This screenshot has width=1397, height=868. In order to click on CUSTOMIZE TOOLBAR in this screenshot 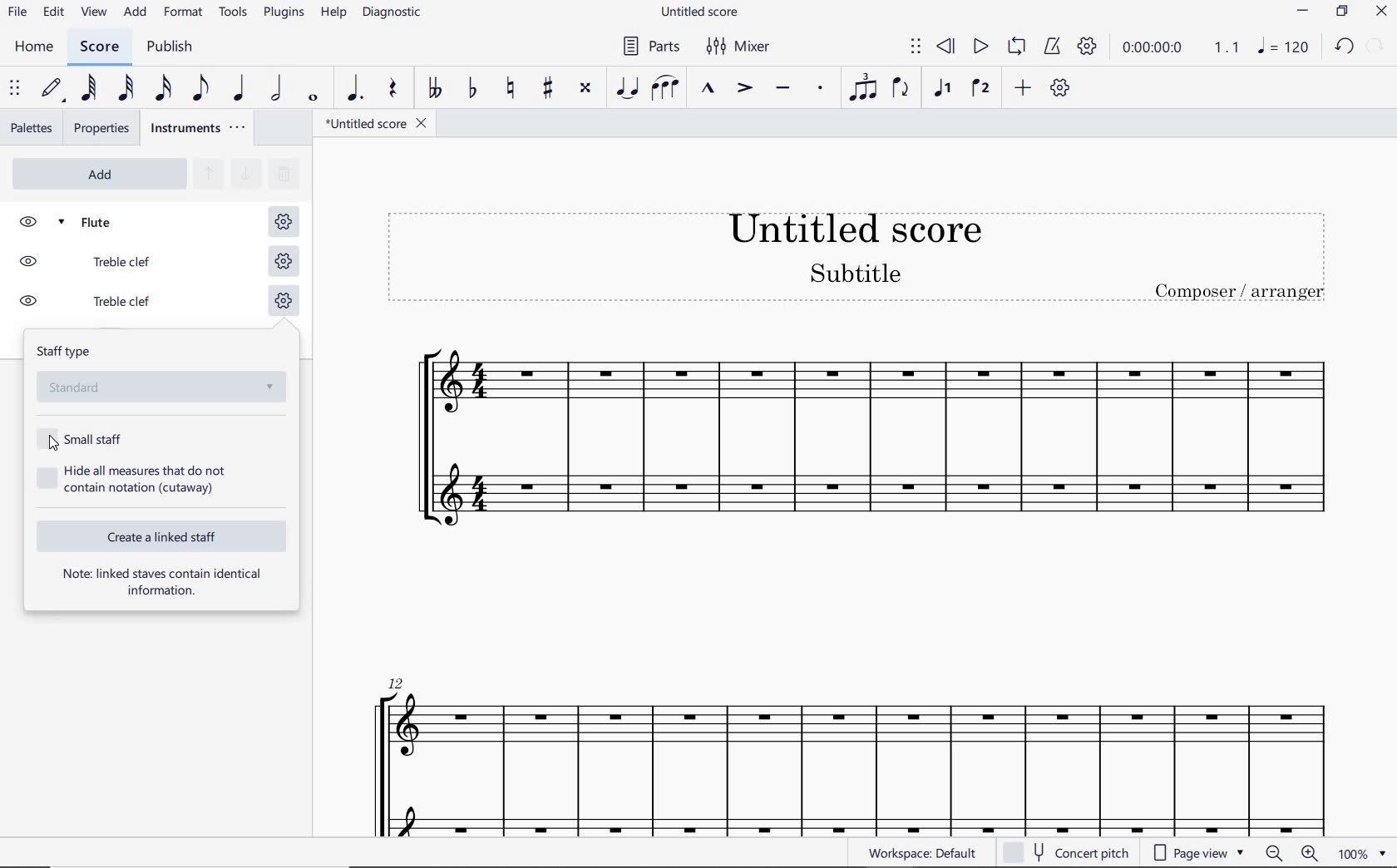, I will do `click(1060, 87)`.